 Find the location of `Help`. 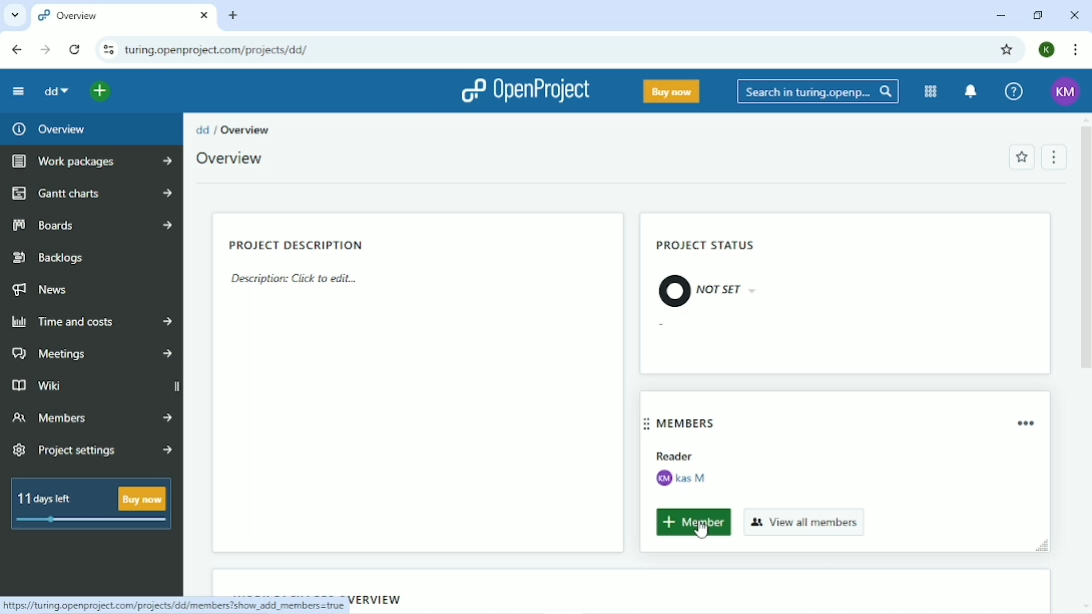

Help is located at coordinates (1012, 93).